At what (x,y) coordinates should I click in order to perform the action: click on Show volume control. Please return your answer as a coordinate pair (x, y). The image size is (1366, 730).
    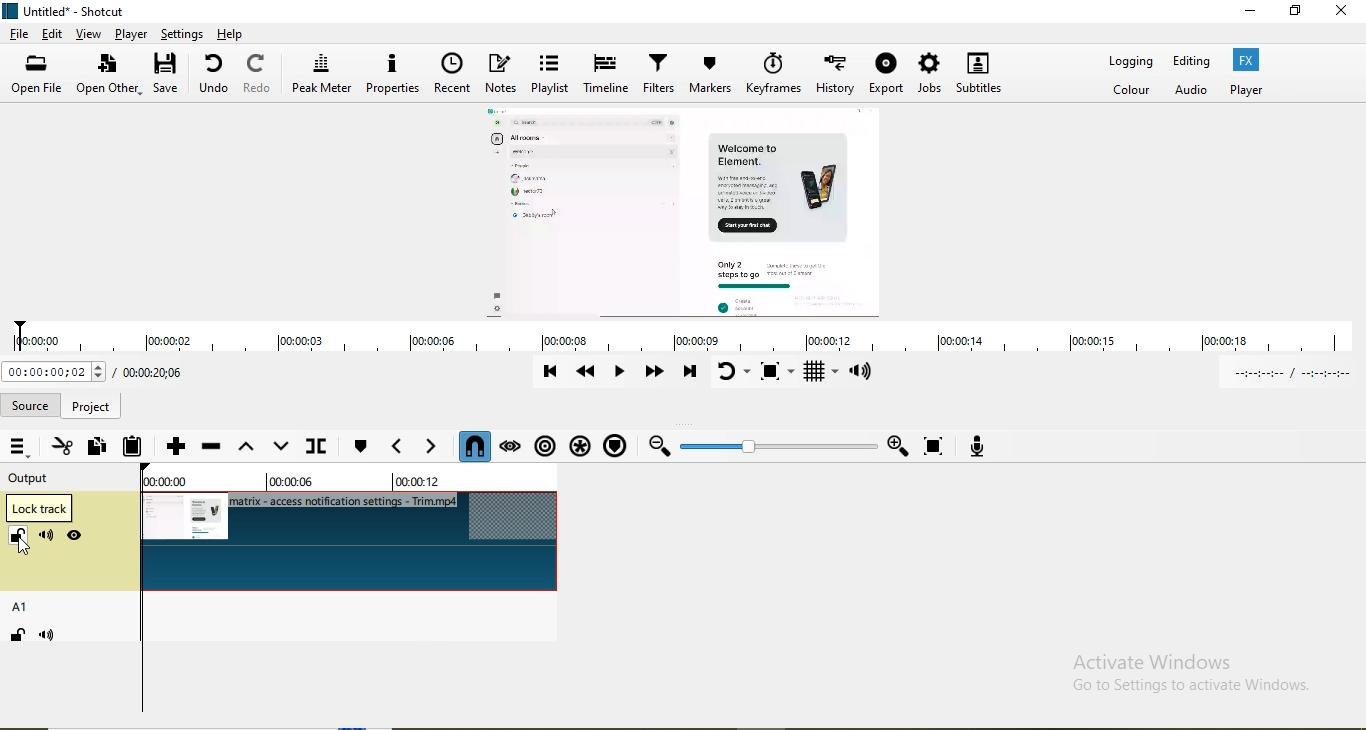
    Looking at the image, I should click on (864, 374).